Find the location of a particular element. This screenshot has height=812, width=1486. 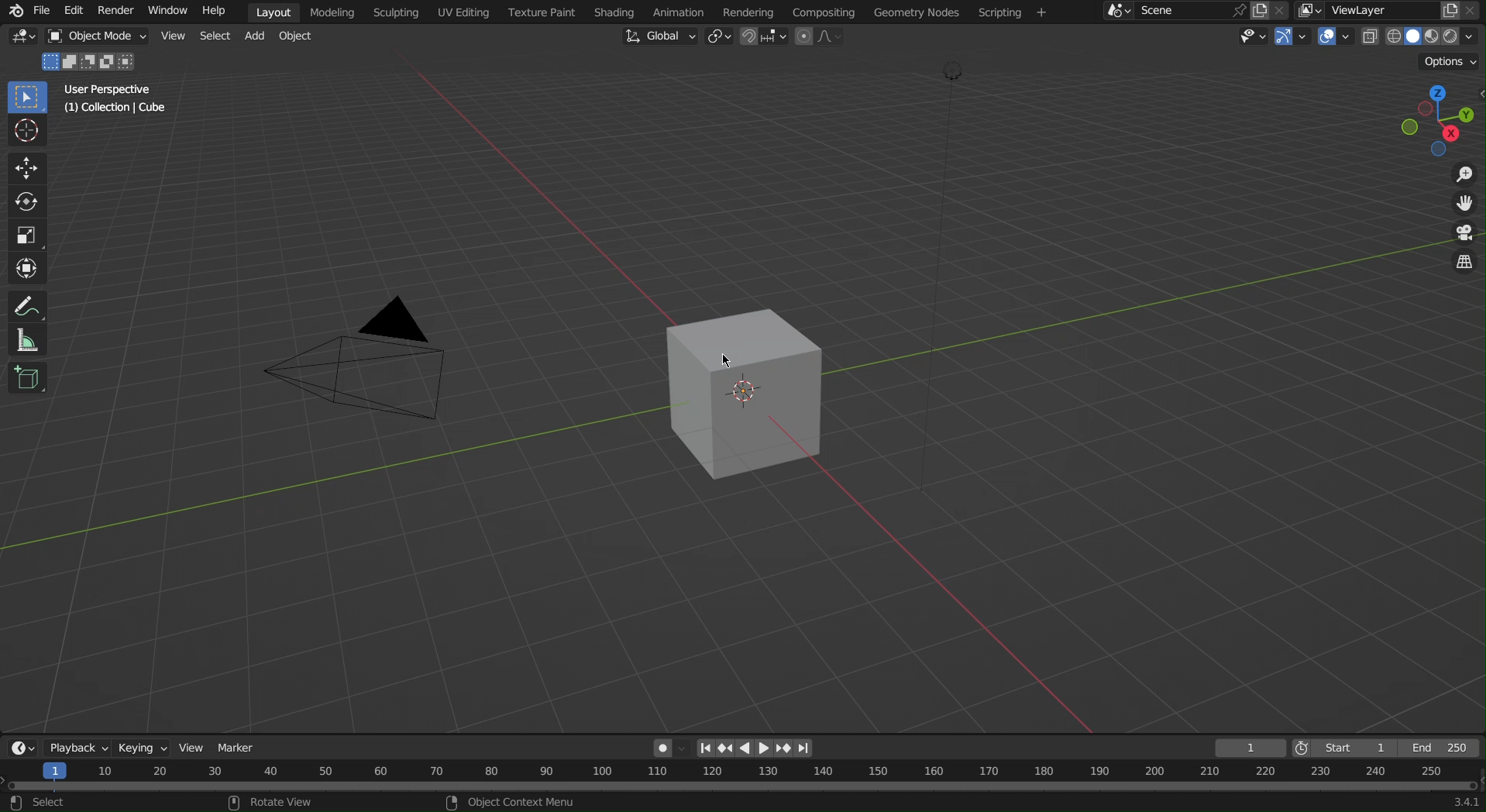

Select Box is located at coordinates (25, 96).